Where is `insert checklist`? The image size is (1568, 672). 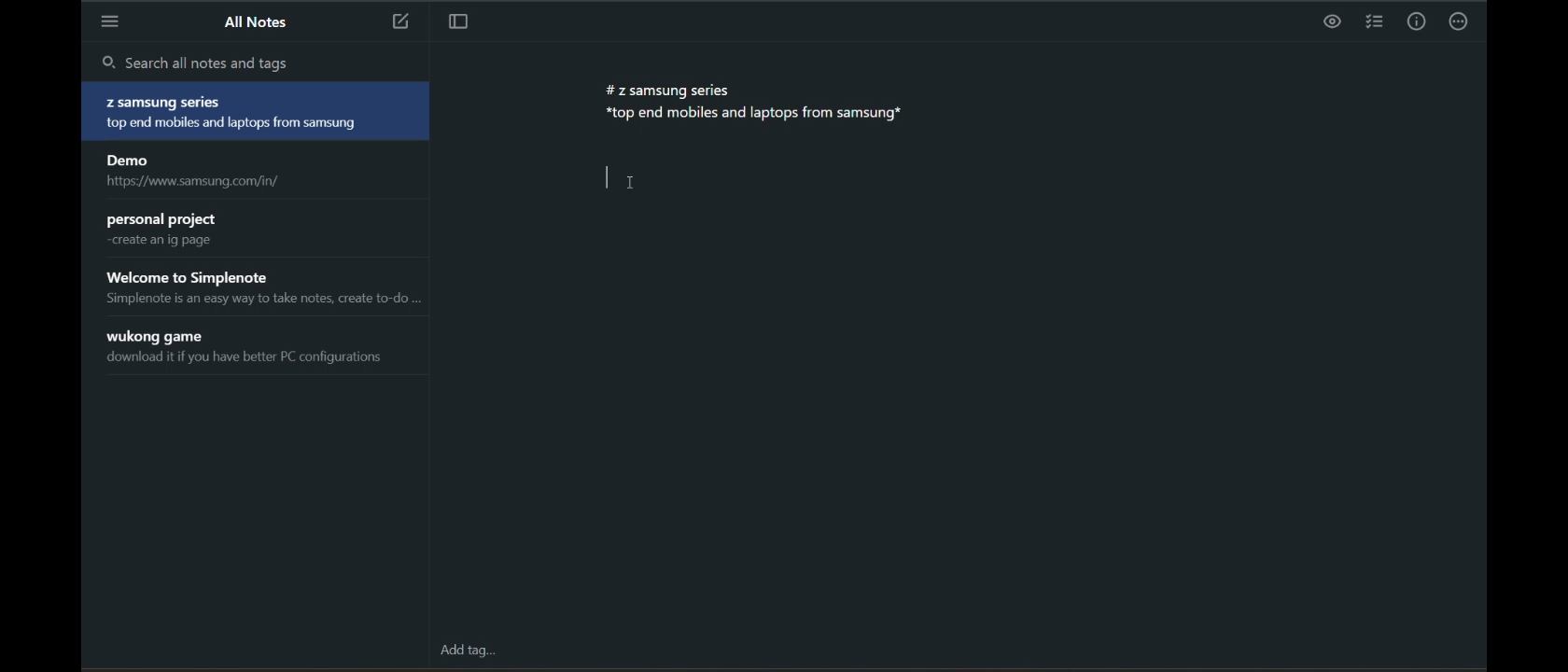
insert checklist is located at coordinates (1372, 21).